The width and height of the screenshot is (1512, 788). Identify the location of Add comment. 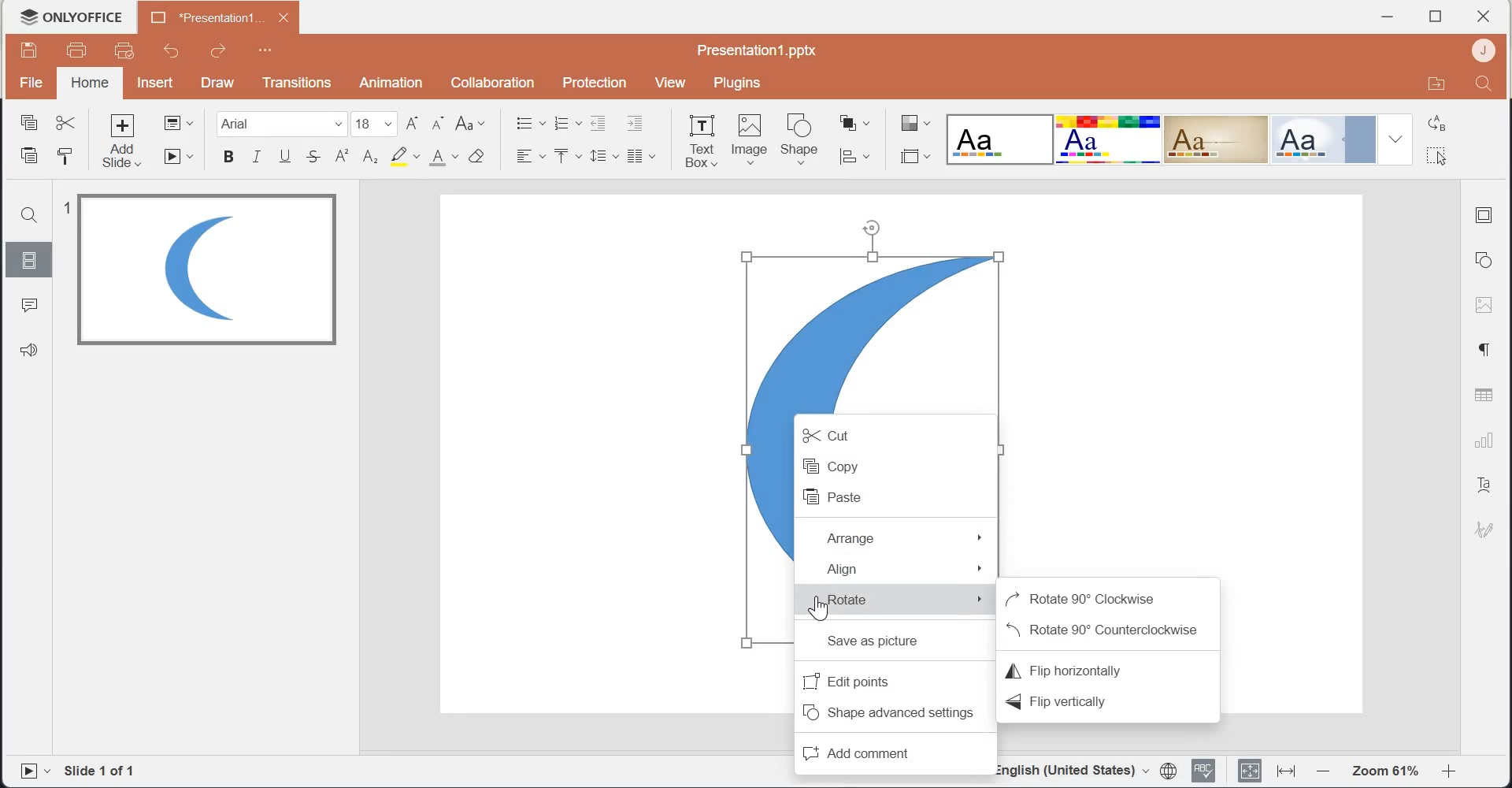
(893, 749).